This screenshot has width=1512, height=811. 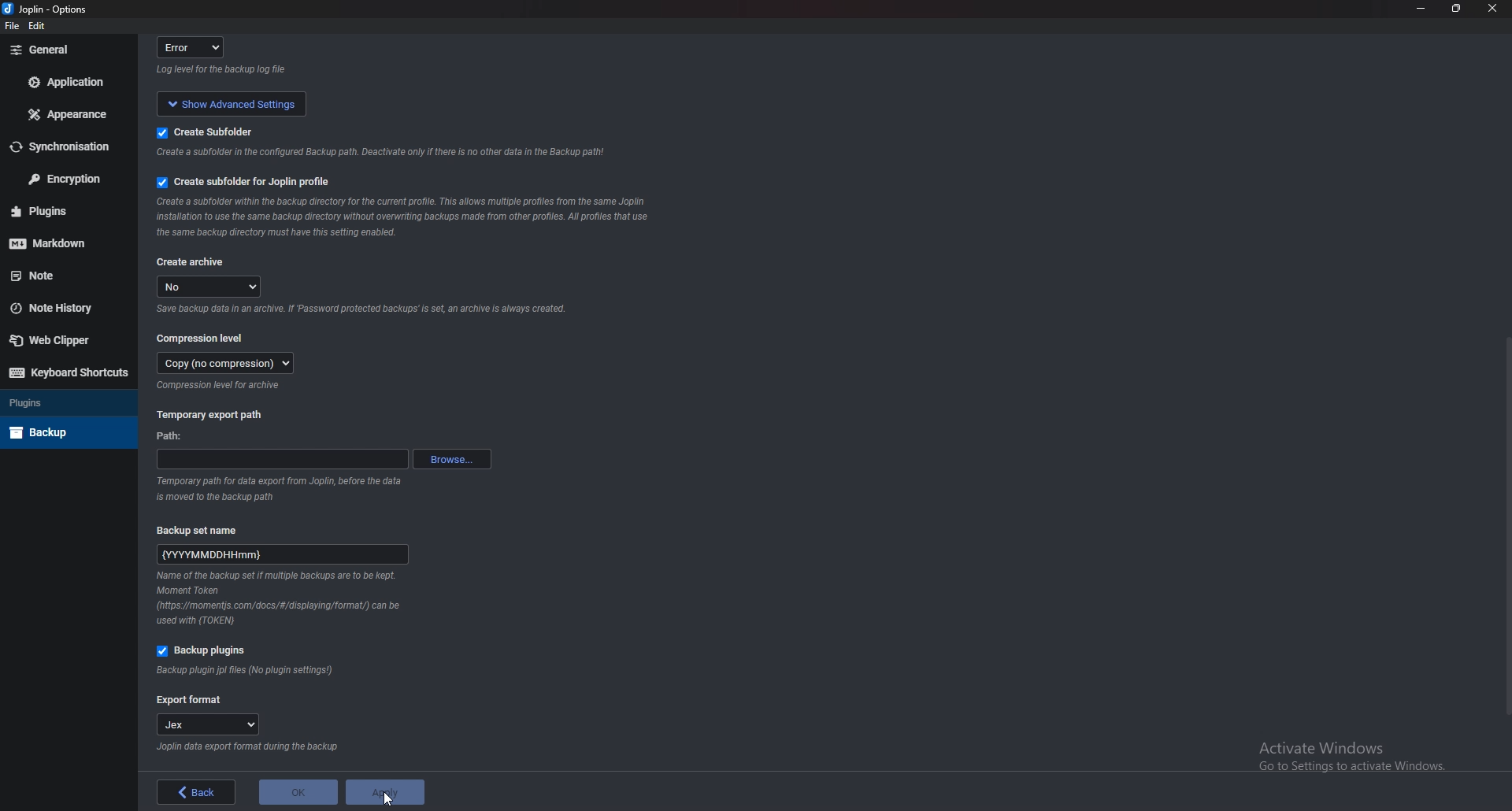 What do you see at coordinates (452, 457) in the screenshot?
I see `Browse` at bounding box center [452, 457].